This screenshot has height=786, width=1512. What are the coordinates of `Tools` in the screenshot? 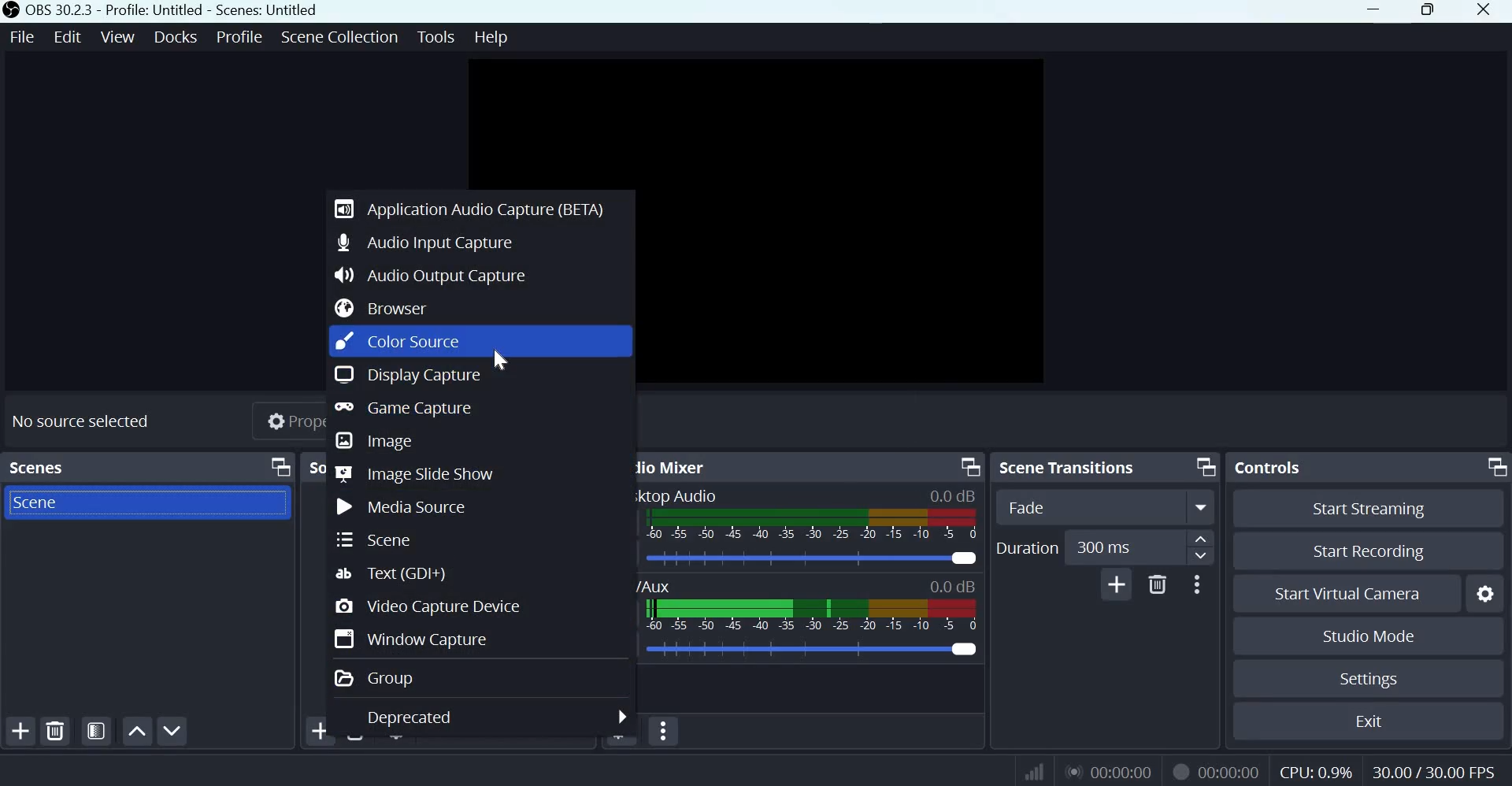 It's located at (437, 37).